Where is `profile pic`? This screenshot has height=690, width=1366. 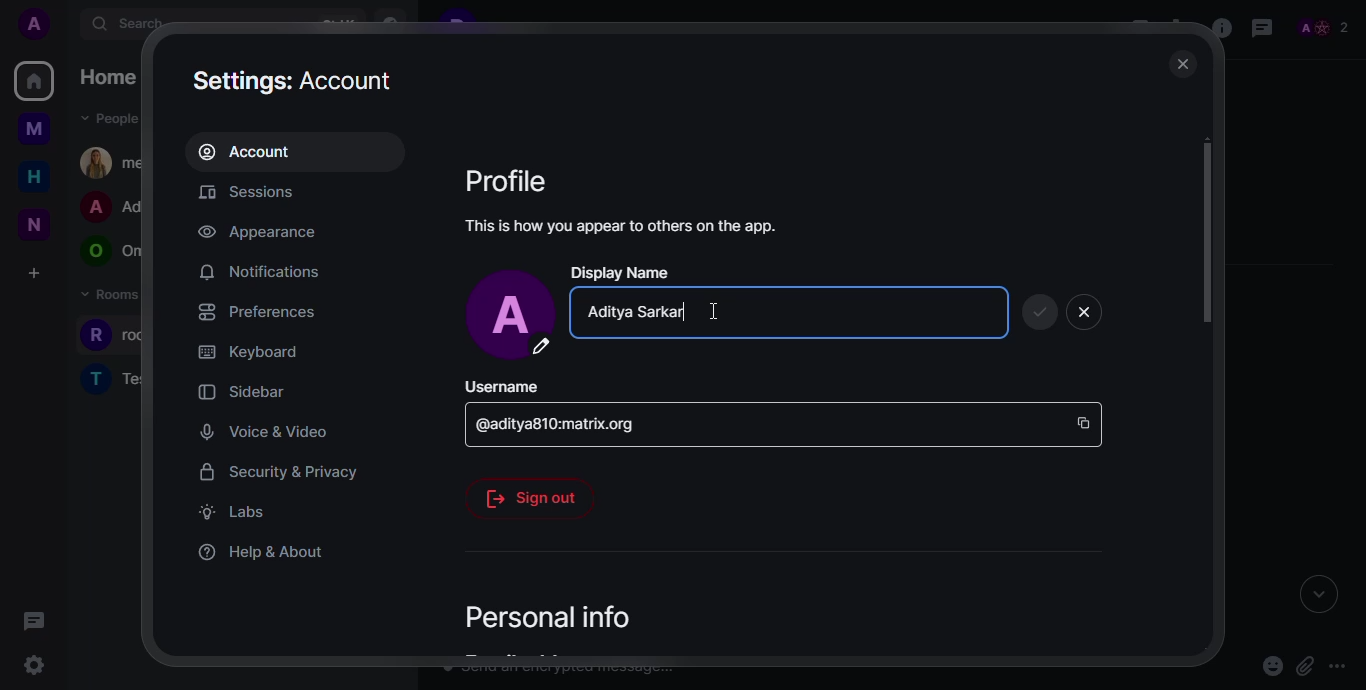
profile pic is located at coordinates (512, 315).